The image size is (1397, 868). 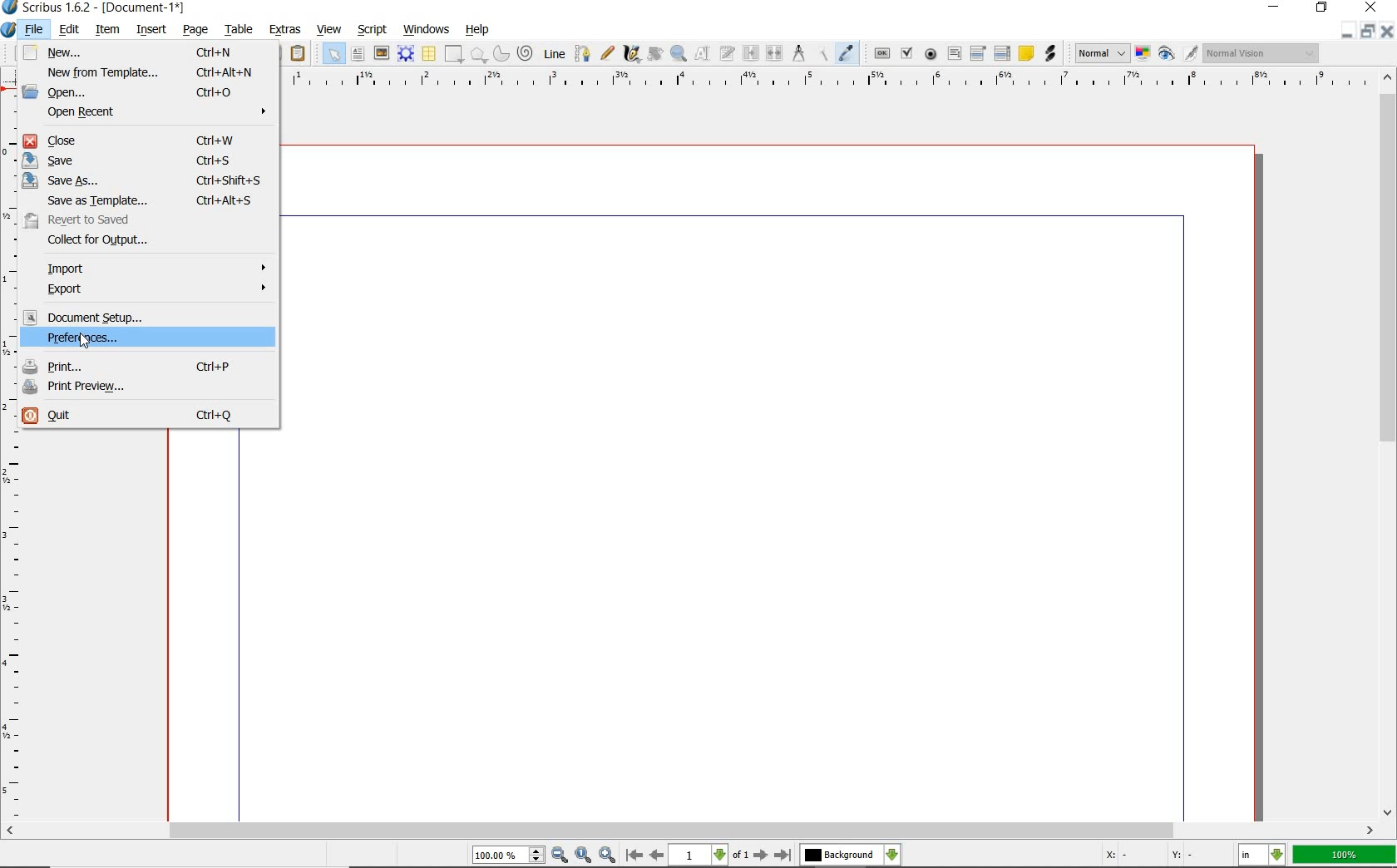 What do you see at coordinates (478, 31) in the screenshot?
I see `help` at bounding box center [478, 31].